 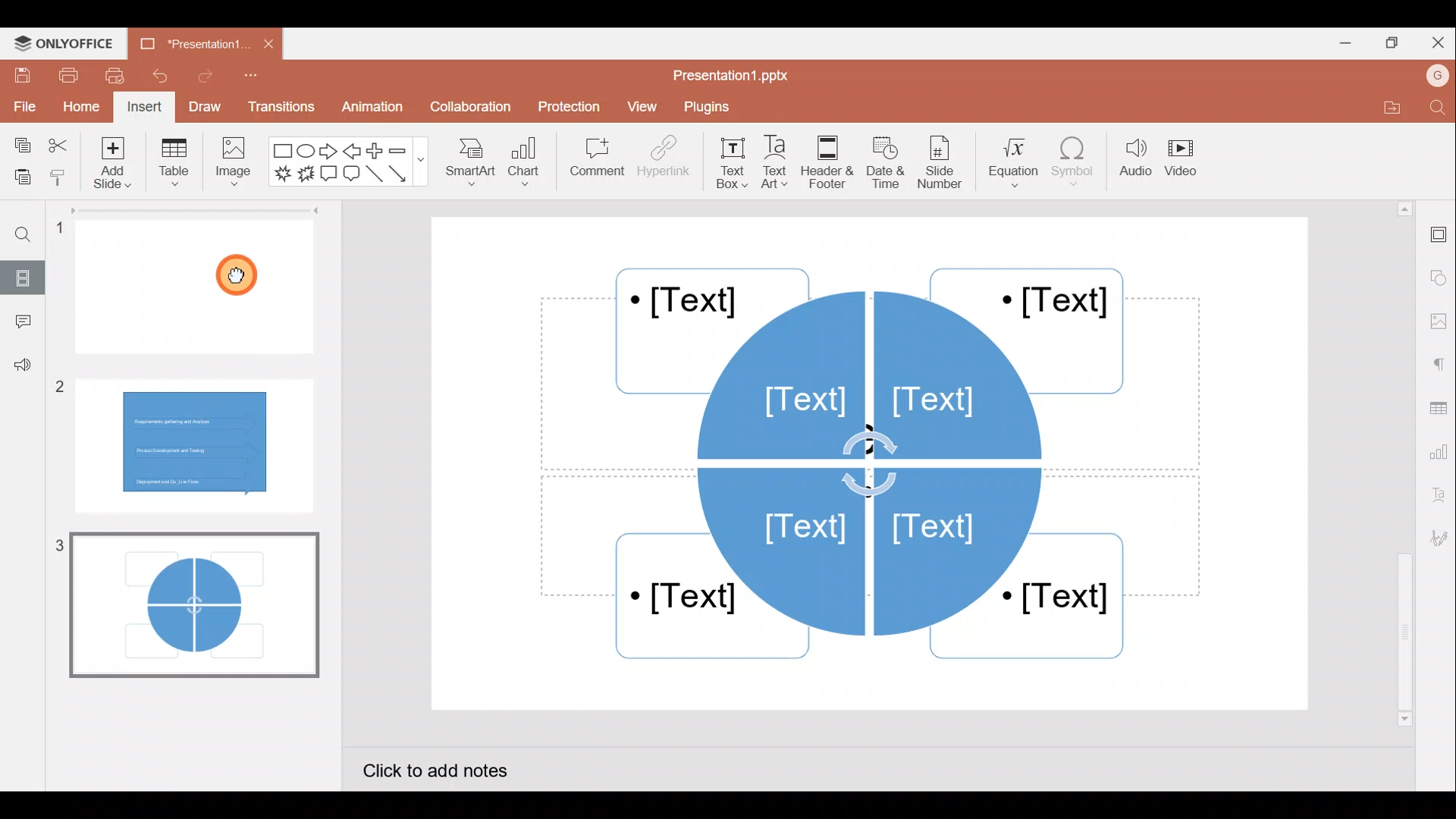 What do you see at coordinates (406, 151) in the screenshot?
I see `Minus` at bounding box center [406, 151].